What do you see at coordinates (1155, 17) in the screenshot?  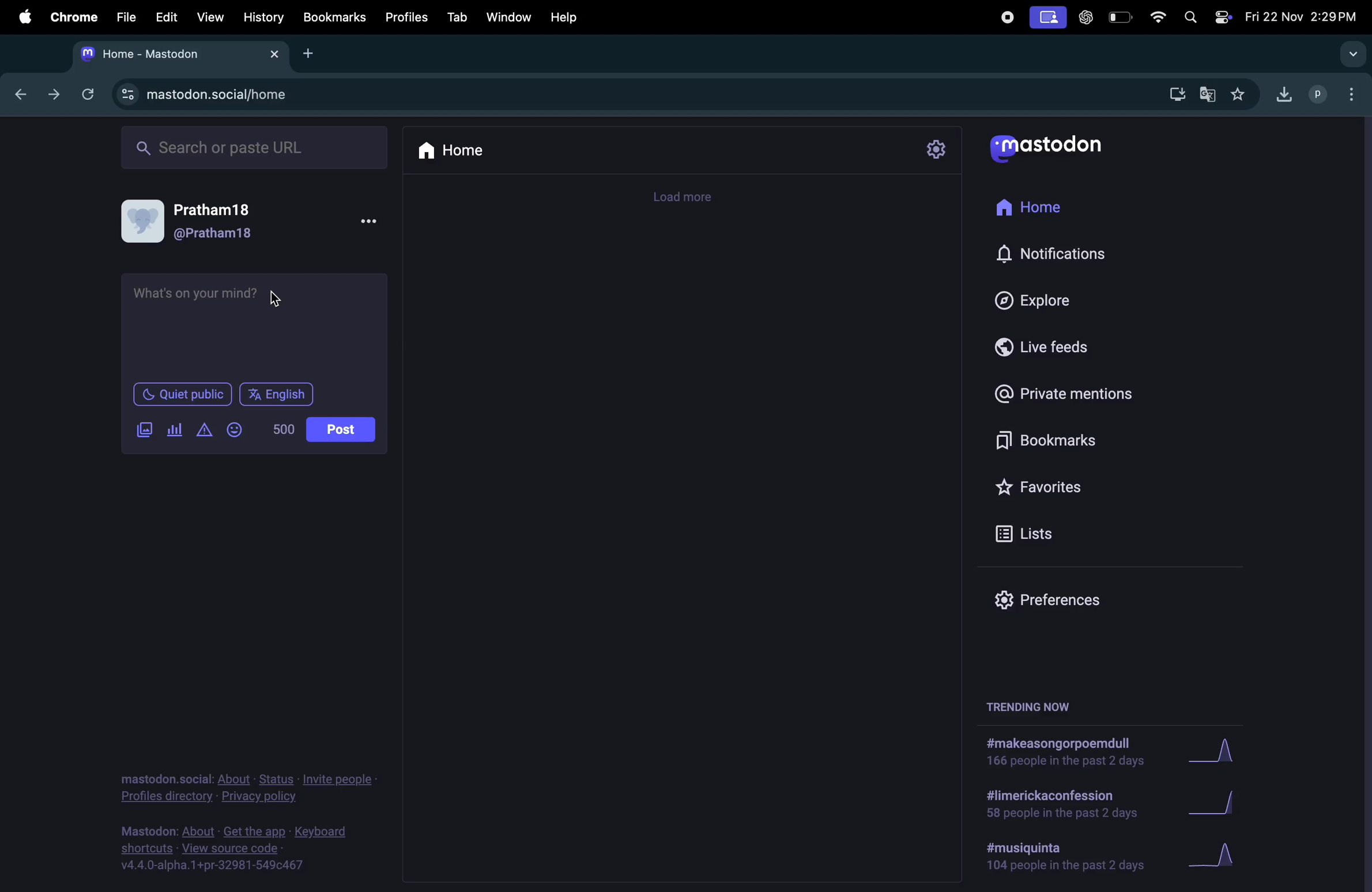 I see `wifi` at bounding box center [1155, 17].